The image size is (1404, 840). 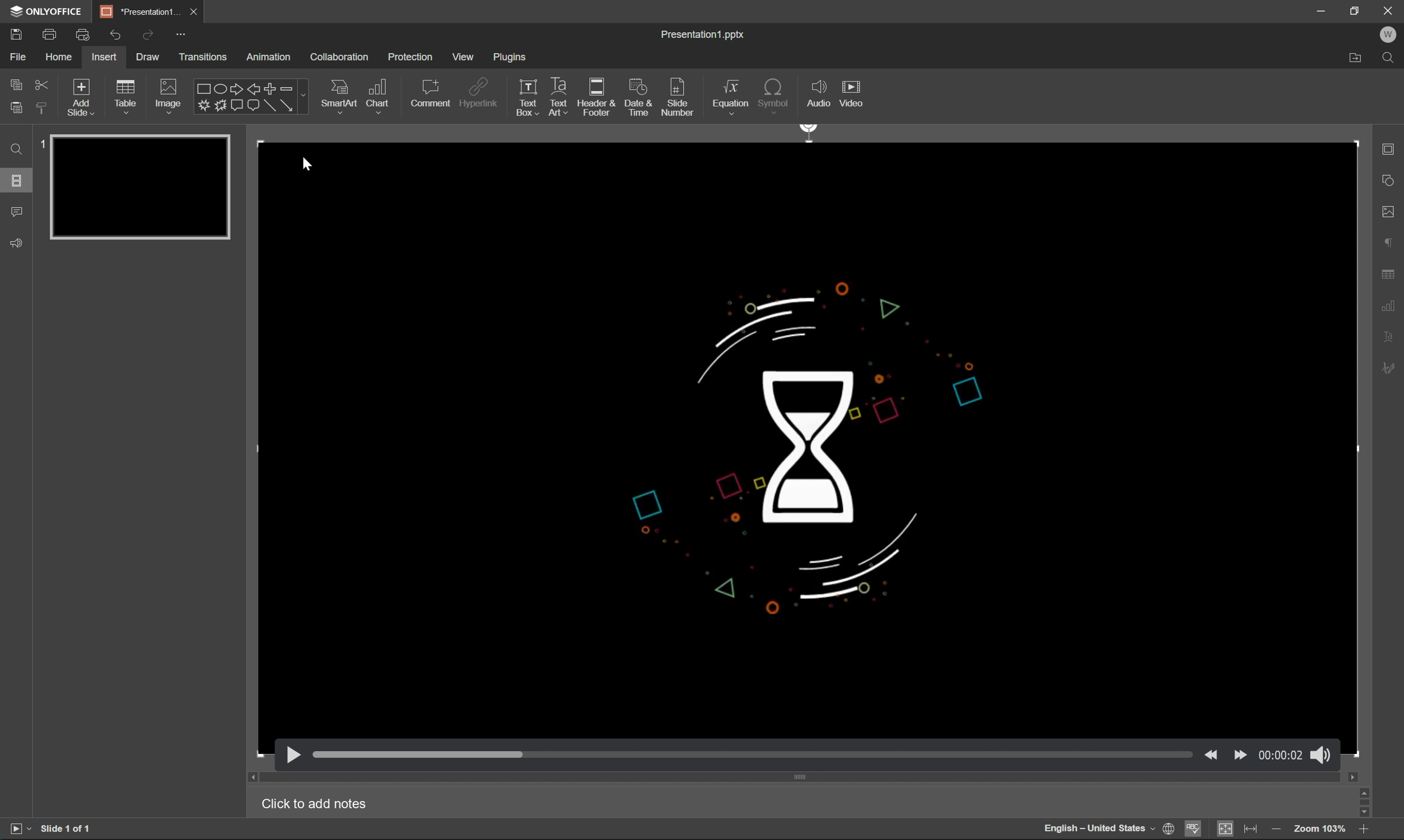 What do you see at coordinates (1390, 179) in the screenshot?
I see `shape settings` at bounding box center [1390, 179].